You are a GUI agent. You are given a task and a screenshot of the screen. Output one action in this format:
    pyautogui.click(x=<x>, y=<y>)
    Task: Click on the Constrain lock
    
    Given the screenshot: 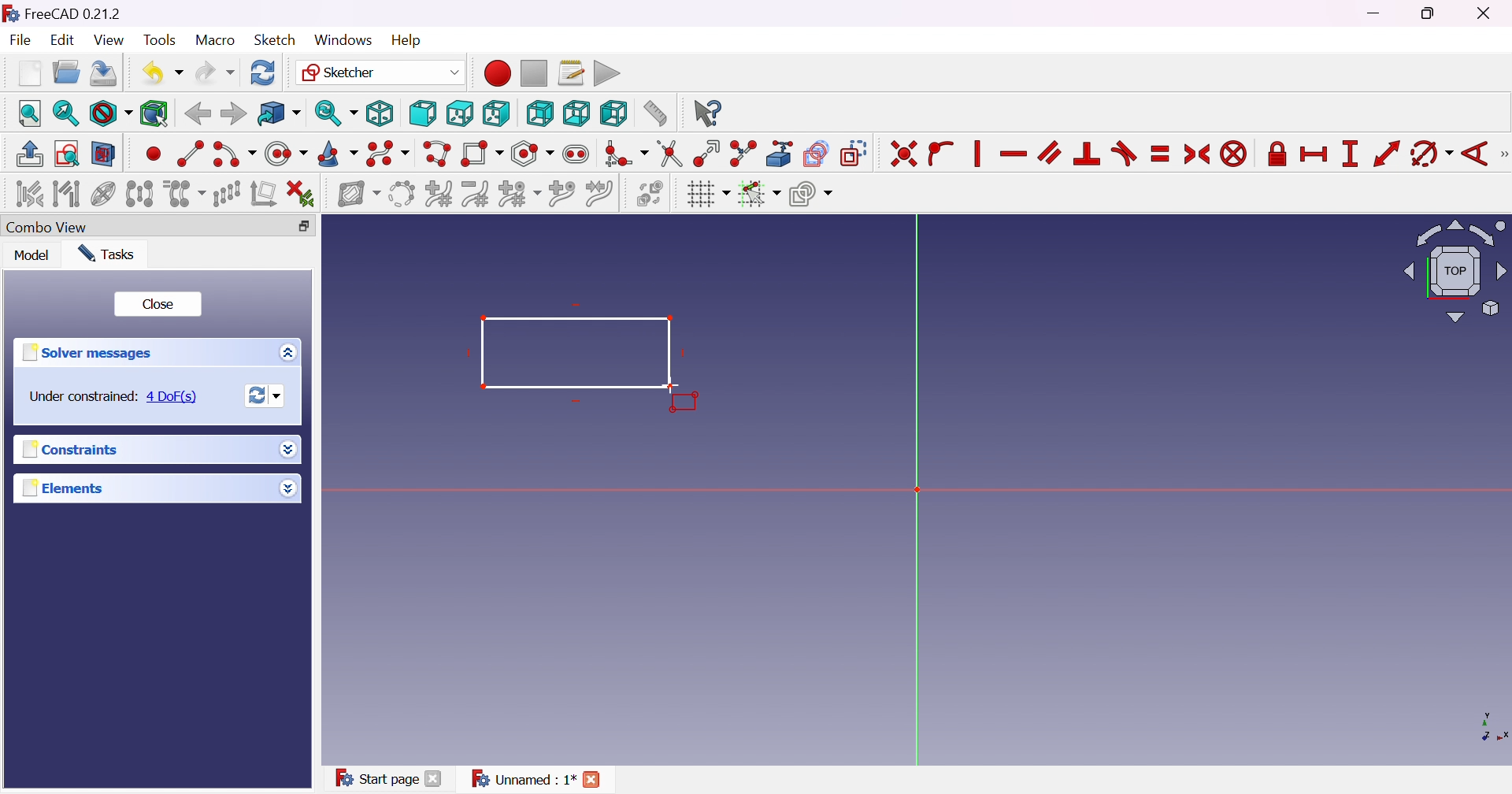 What is the action you would take?
    pyautogui.click(x=1275, y=155)
    